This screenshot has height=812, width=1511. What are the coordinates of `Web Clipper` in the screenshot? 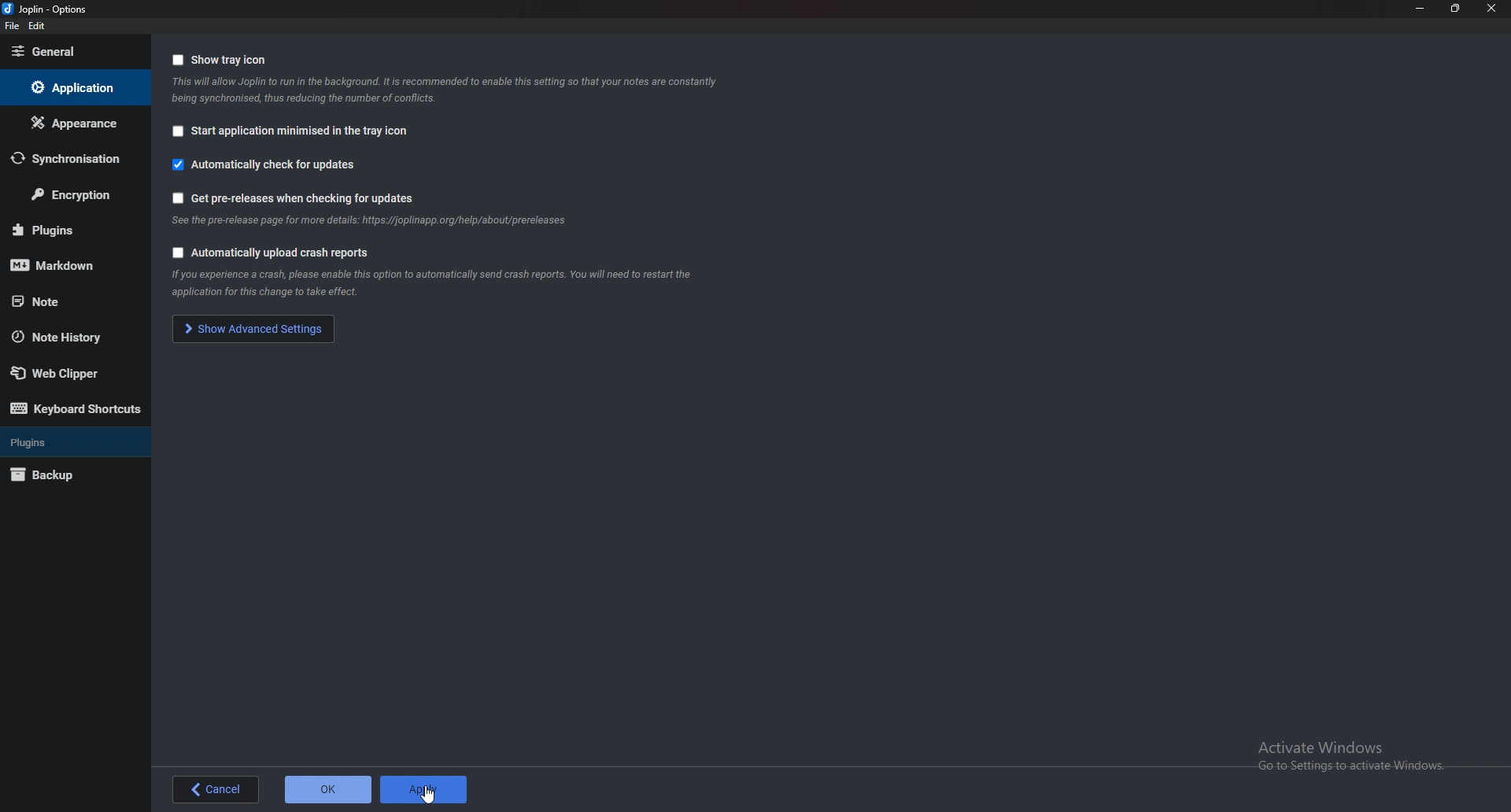 It's located at (72, 373).